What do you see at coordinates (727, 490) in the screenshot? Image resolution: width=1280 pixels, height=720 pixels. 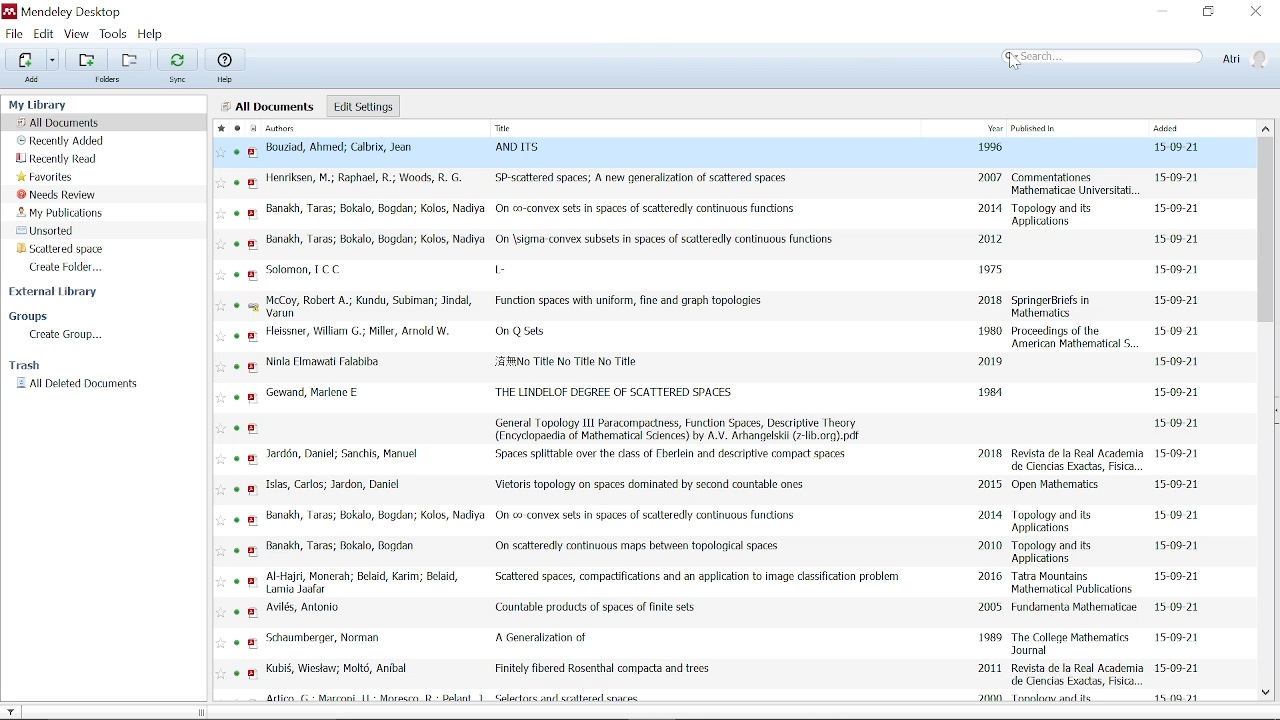 I see `Islas, Carlos; Jardon, Daniel Vietoris topology on spaces dominated by second countable ones 2015 Open Mathematics 15-00-21` at bounding box center [727, 490].